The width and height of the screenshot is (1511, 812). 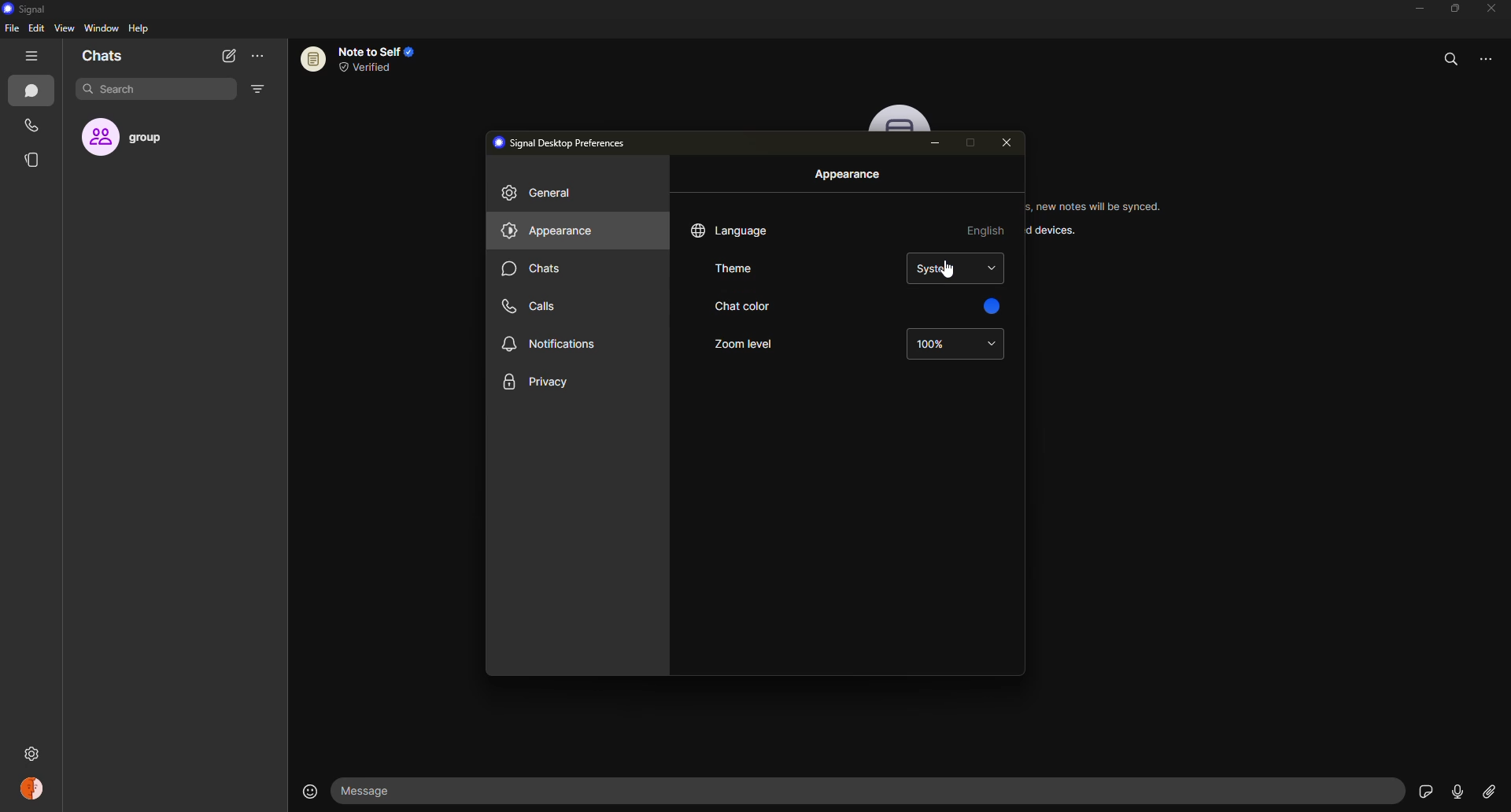 What do you see at coordinates (552, 341) in the screenshot?
I see `notifications` at bounding box center [552, 341].